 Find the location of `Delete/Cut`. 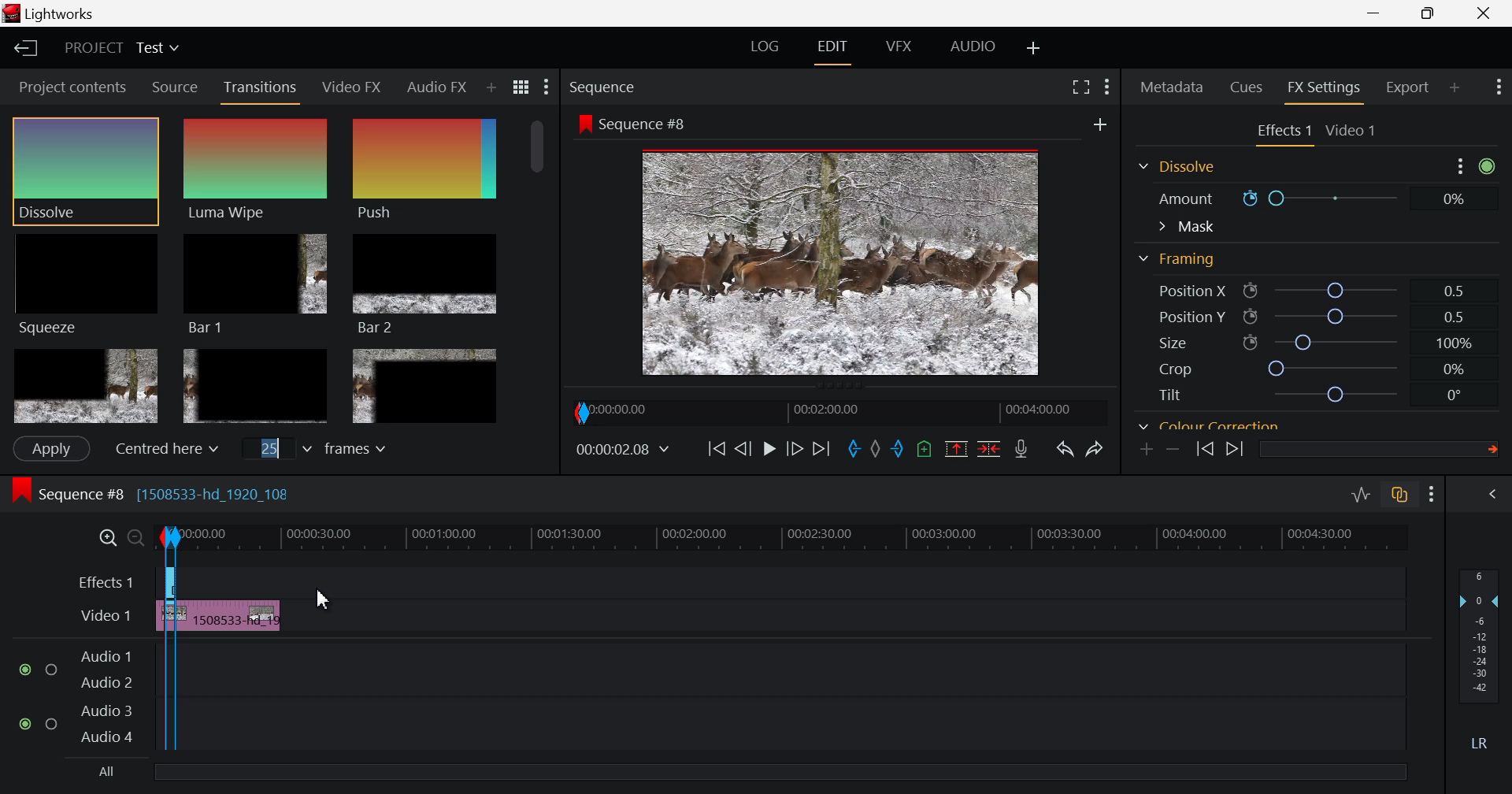

Delete/Cut is located at coordinates (989, 447).